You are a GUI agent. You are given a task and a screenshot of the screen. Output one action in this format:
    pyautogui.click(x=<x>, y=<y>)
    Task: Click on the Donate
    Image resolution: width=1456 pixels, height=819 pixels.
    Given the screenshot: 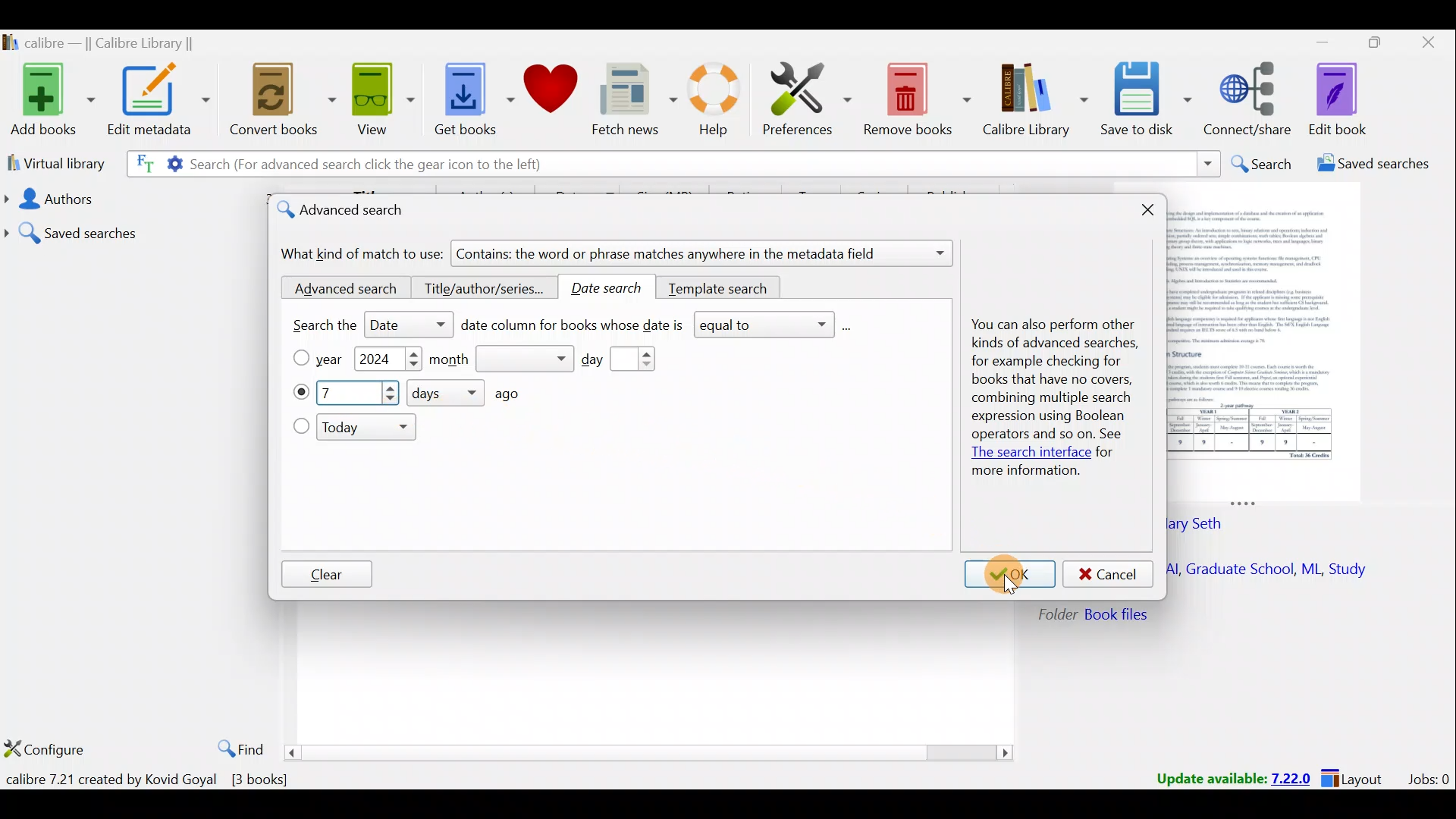 What is the action you would take?
    pyautogui.click(x=550, y=91)
    